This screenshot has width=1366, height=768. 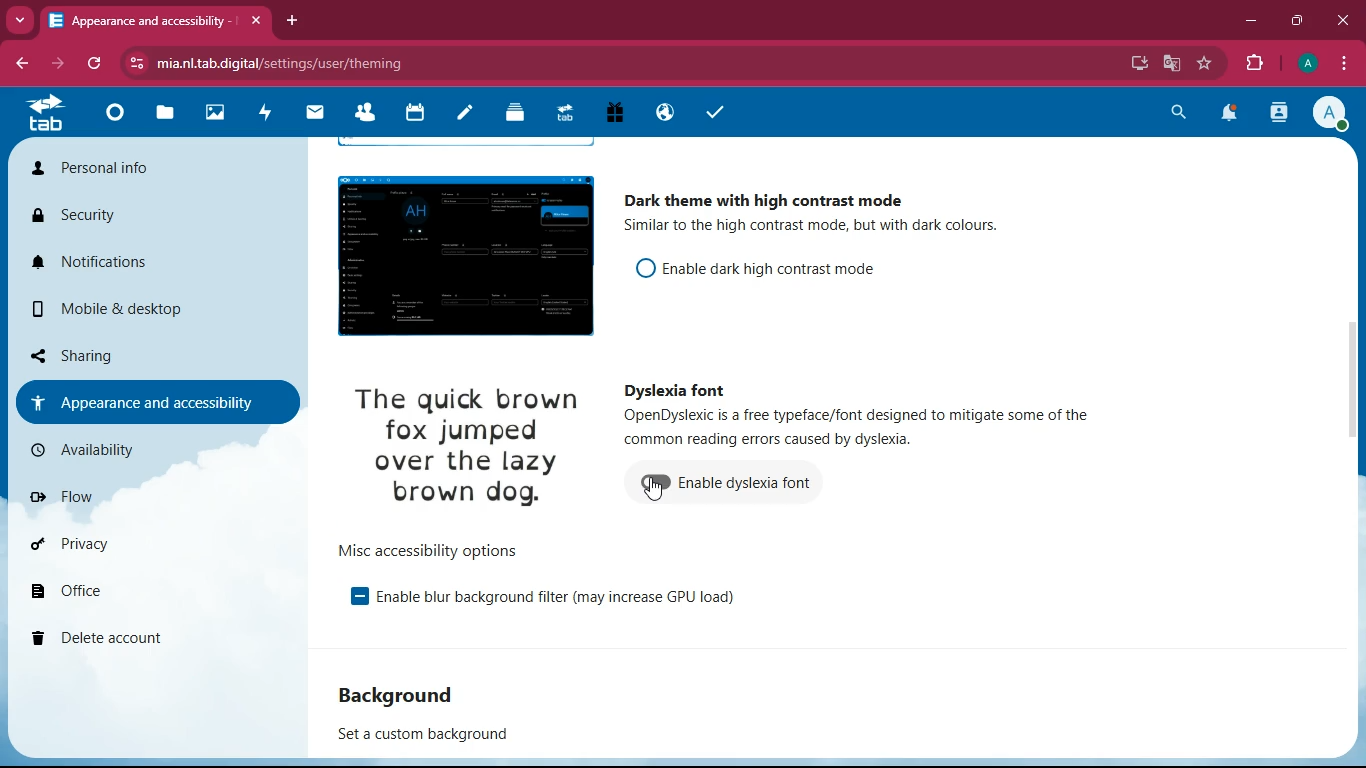 I want to click on extensions, so click(x=1255, y=64).